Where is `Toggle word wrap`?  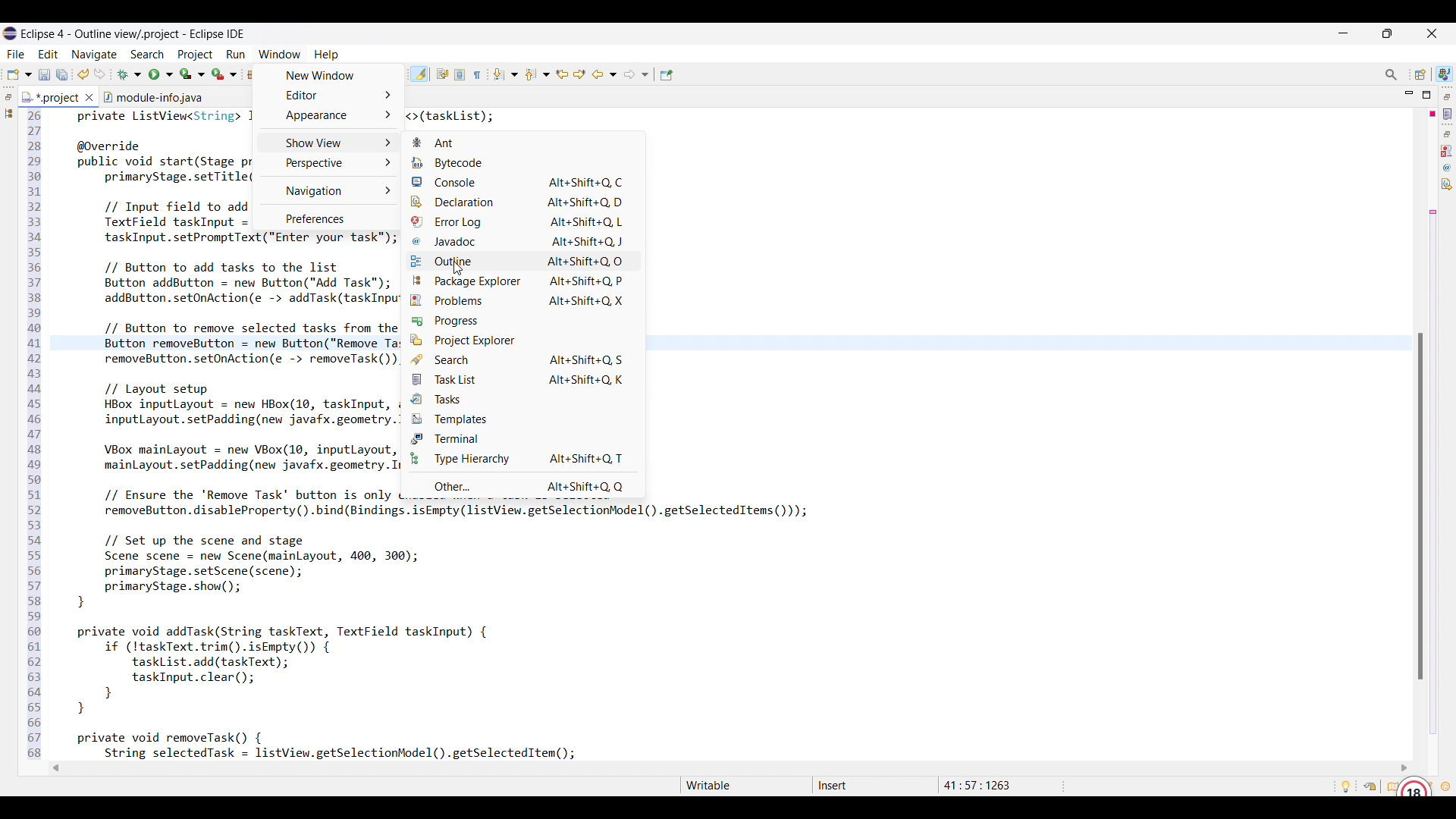 Toggle word wrap is located at coordinates (442, 74).